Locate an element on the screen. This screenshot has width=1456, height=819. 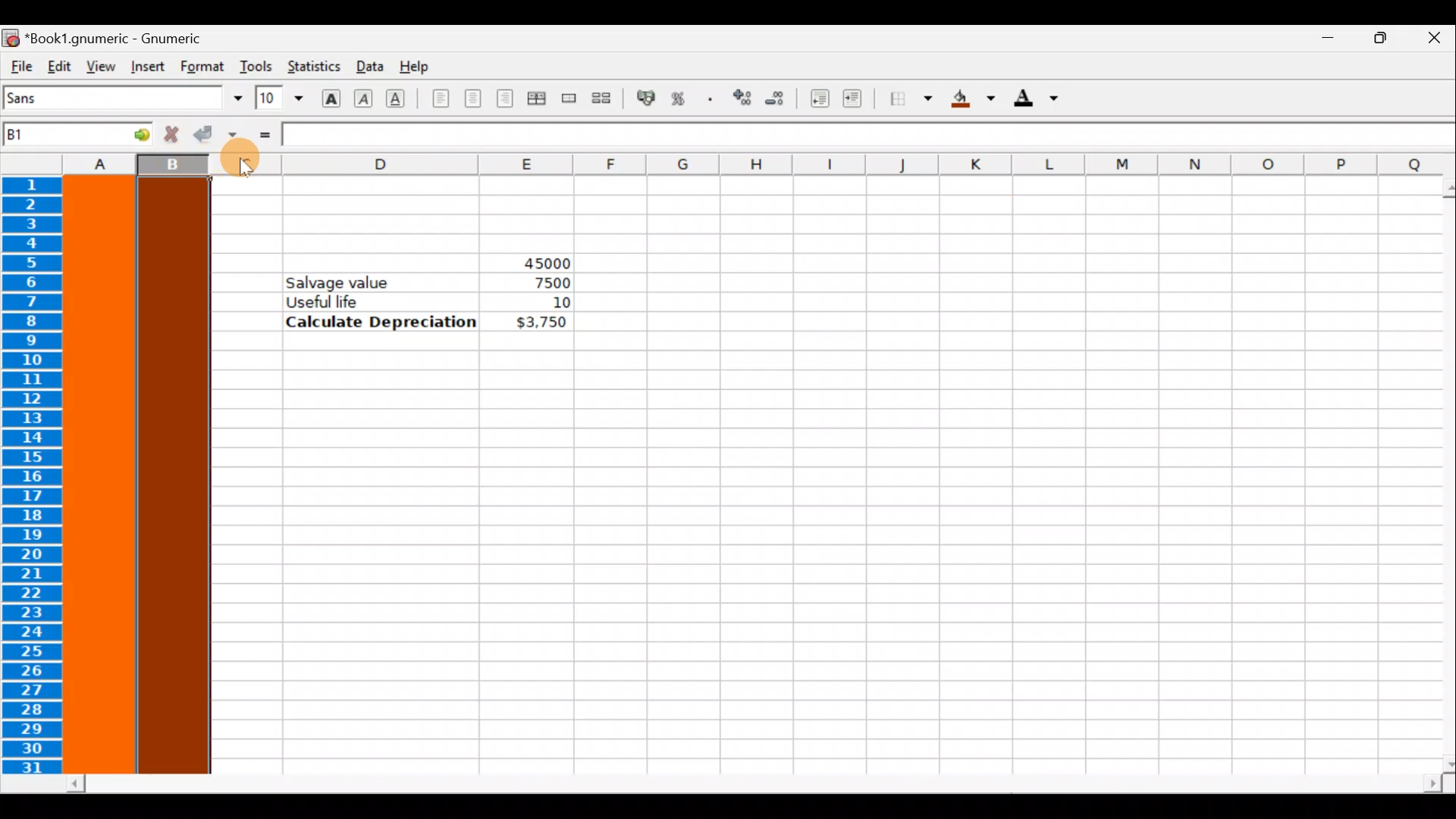
Cell name B1 is located at coordinates (54, 136).